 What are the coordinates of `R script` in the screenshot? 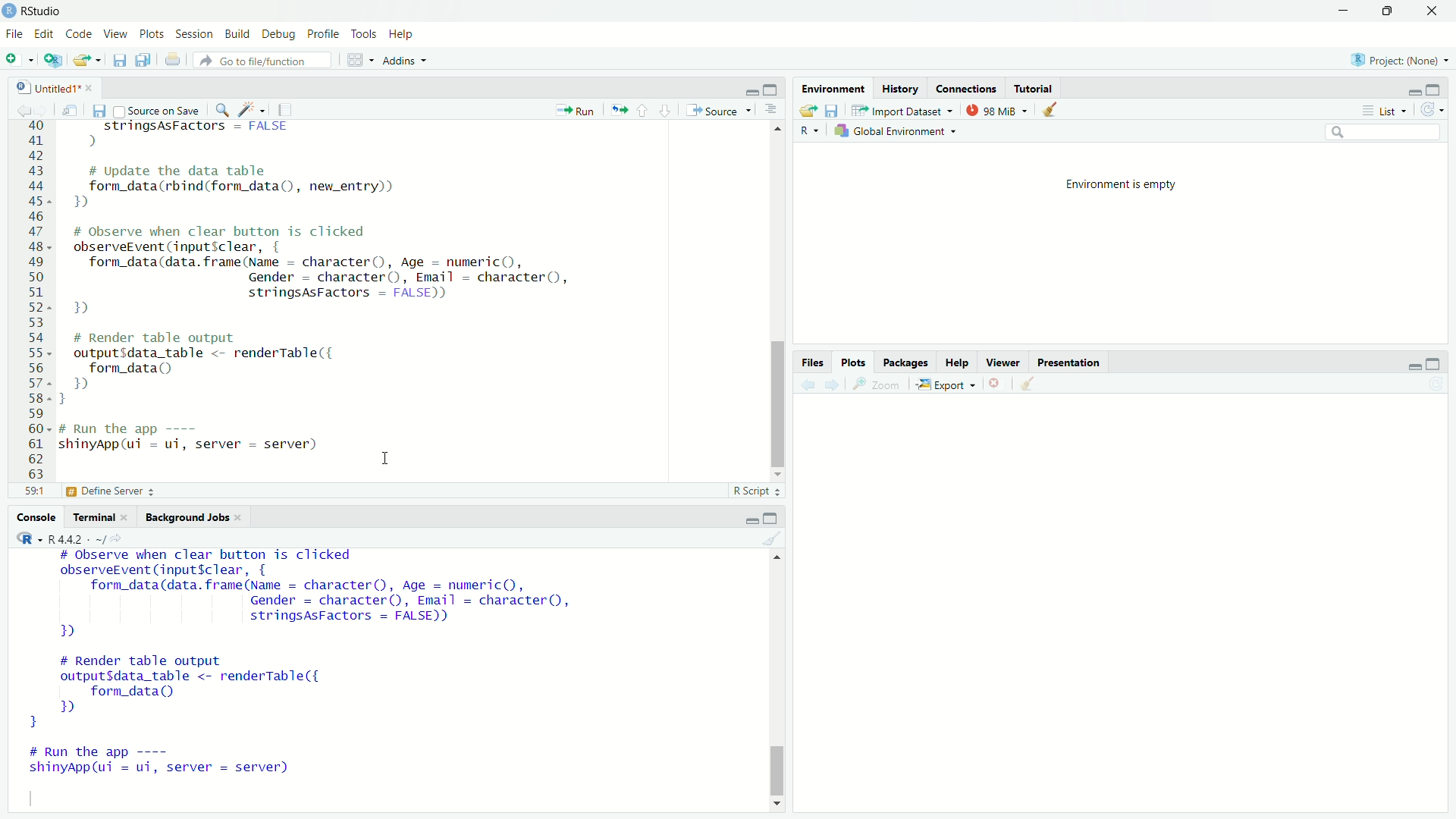 It's located at (757, 493).